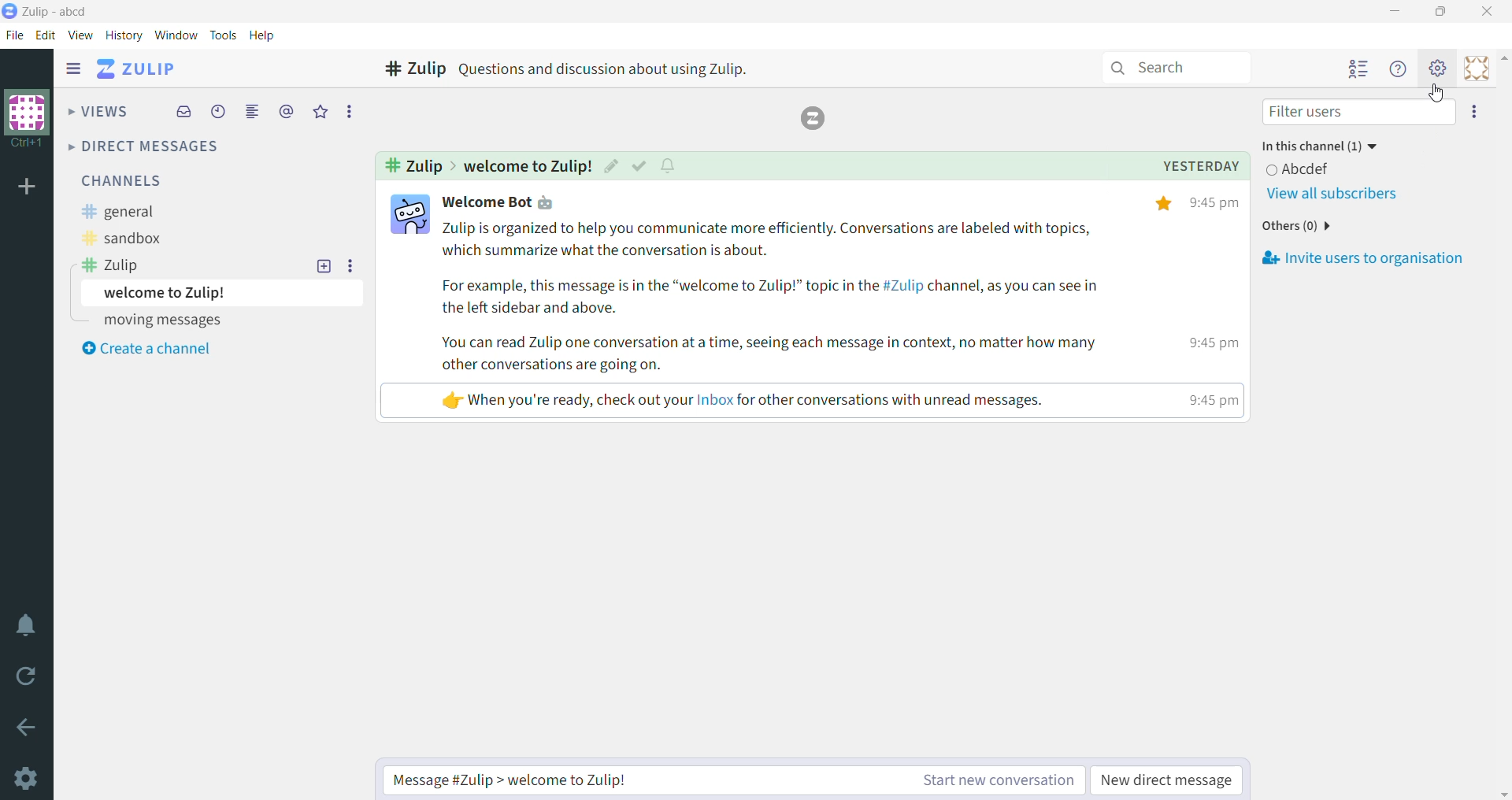 This screenshot has height=800, width=1512. Describe the element at coordinates (254, 112) in the screenshot. I see `Combined feed` at that location.